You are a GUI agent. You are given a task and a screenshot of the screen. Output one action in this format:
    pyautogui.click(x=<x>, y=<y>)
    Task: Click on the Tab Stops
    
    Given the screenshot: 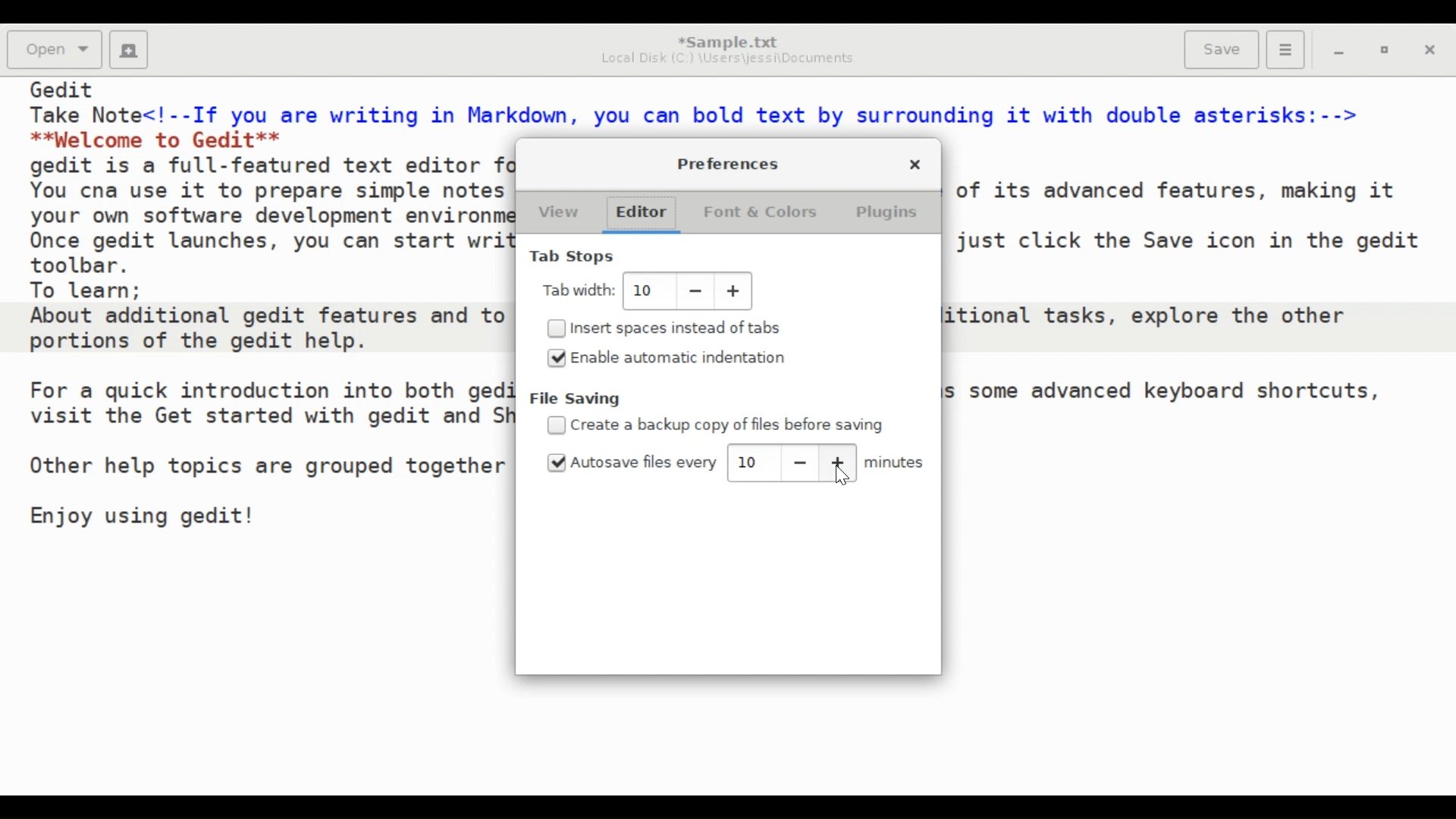 What is the action you would take?
    pyautogui.click(x=573, y=258)
    